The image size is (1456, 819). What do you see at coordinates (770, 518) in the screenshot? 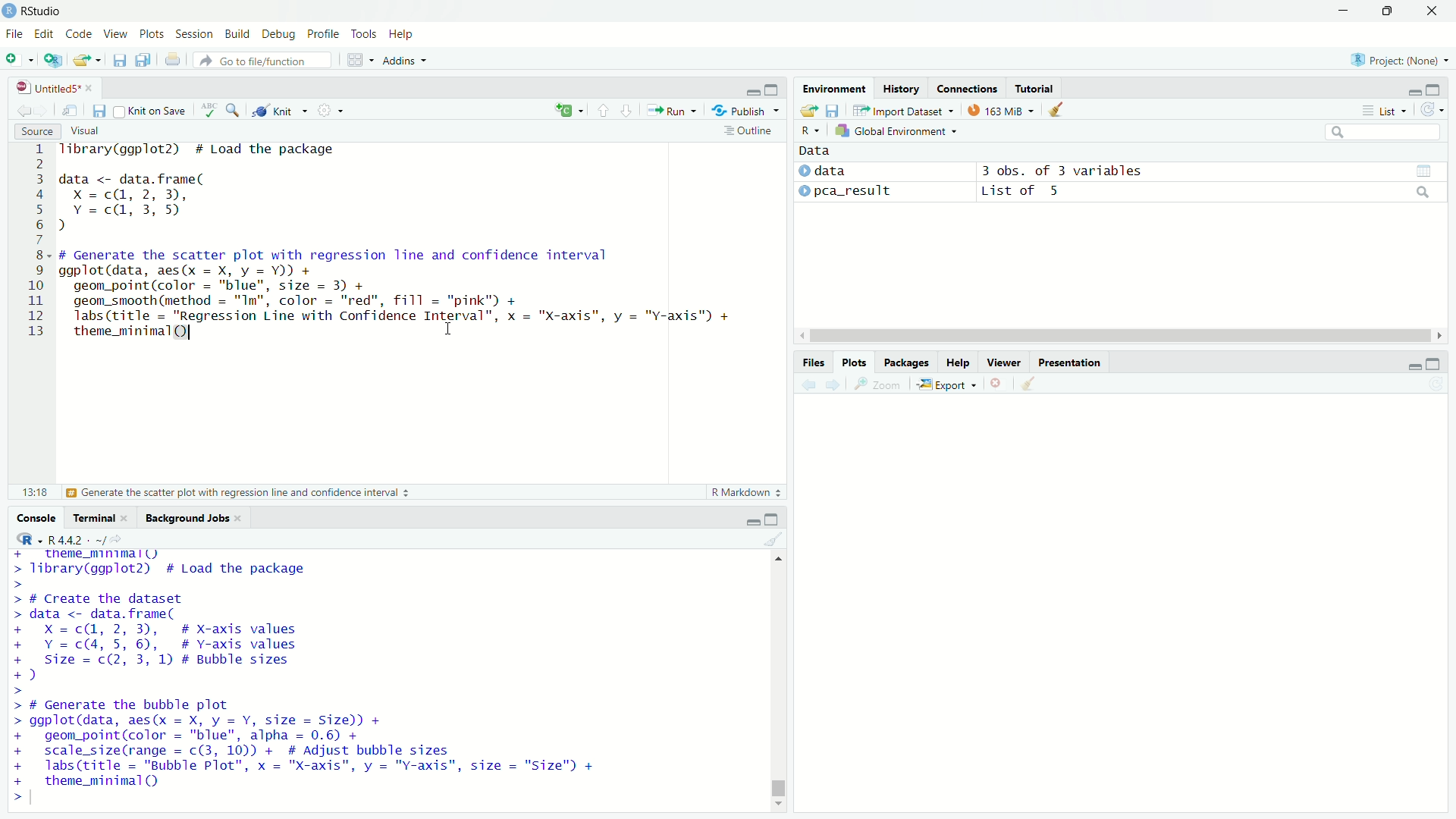
I see `expand` at bounding box center [770, 518].